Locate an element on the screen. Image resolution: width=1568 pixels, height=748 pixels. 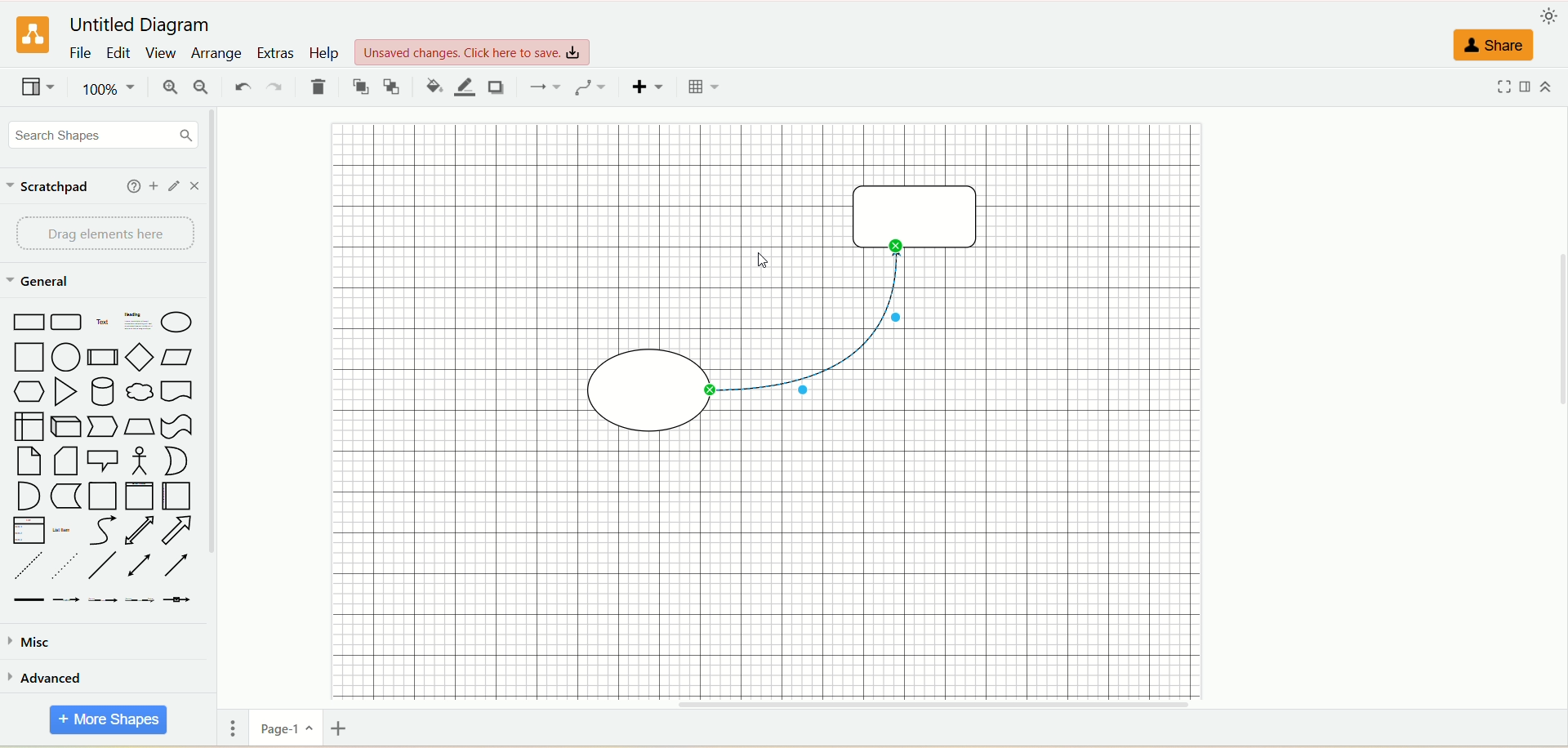
appearance is located at coordinates (1549, 19).